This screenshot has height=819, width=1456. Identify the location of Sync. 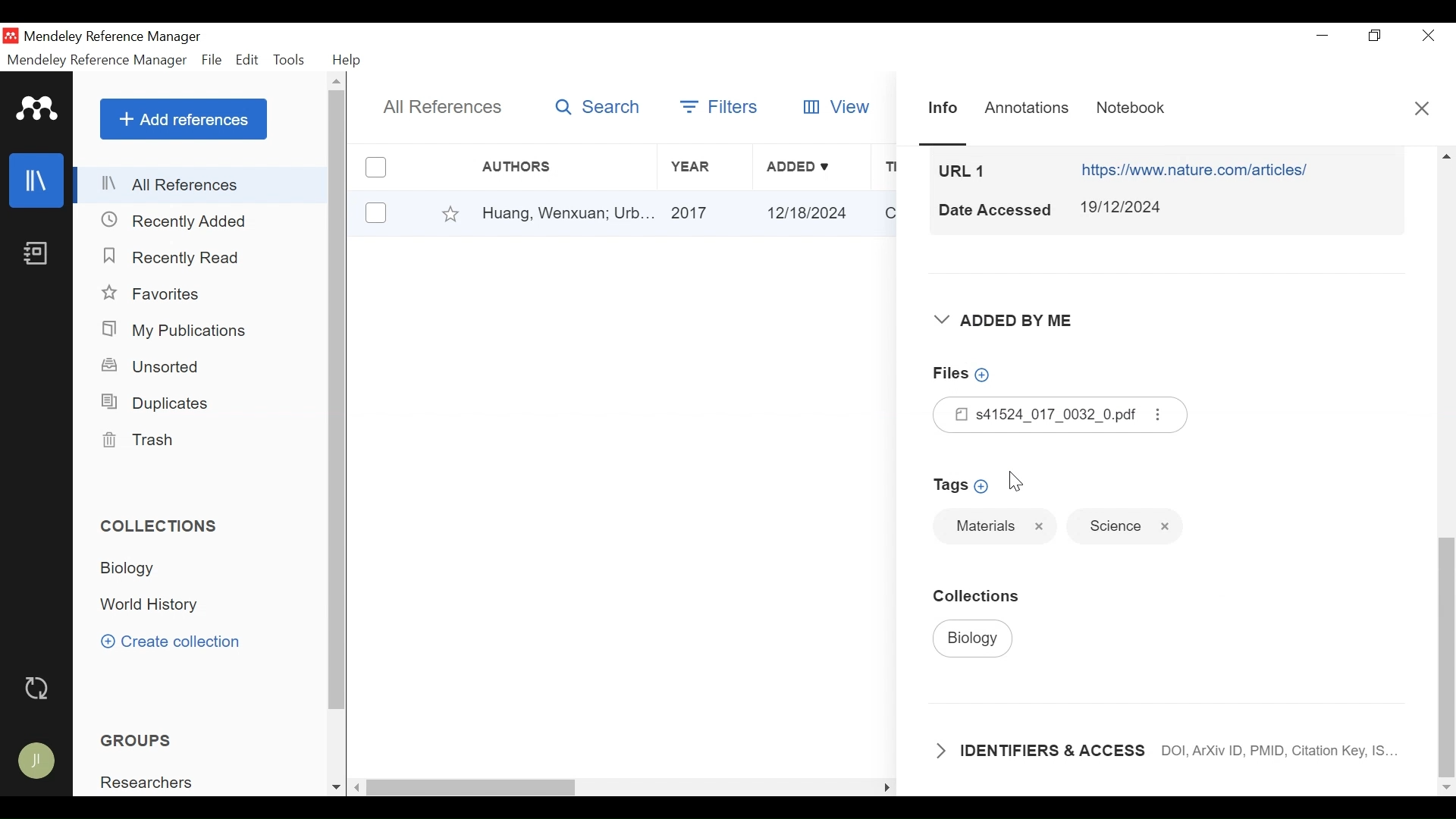
(39, 689).